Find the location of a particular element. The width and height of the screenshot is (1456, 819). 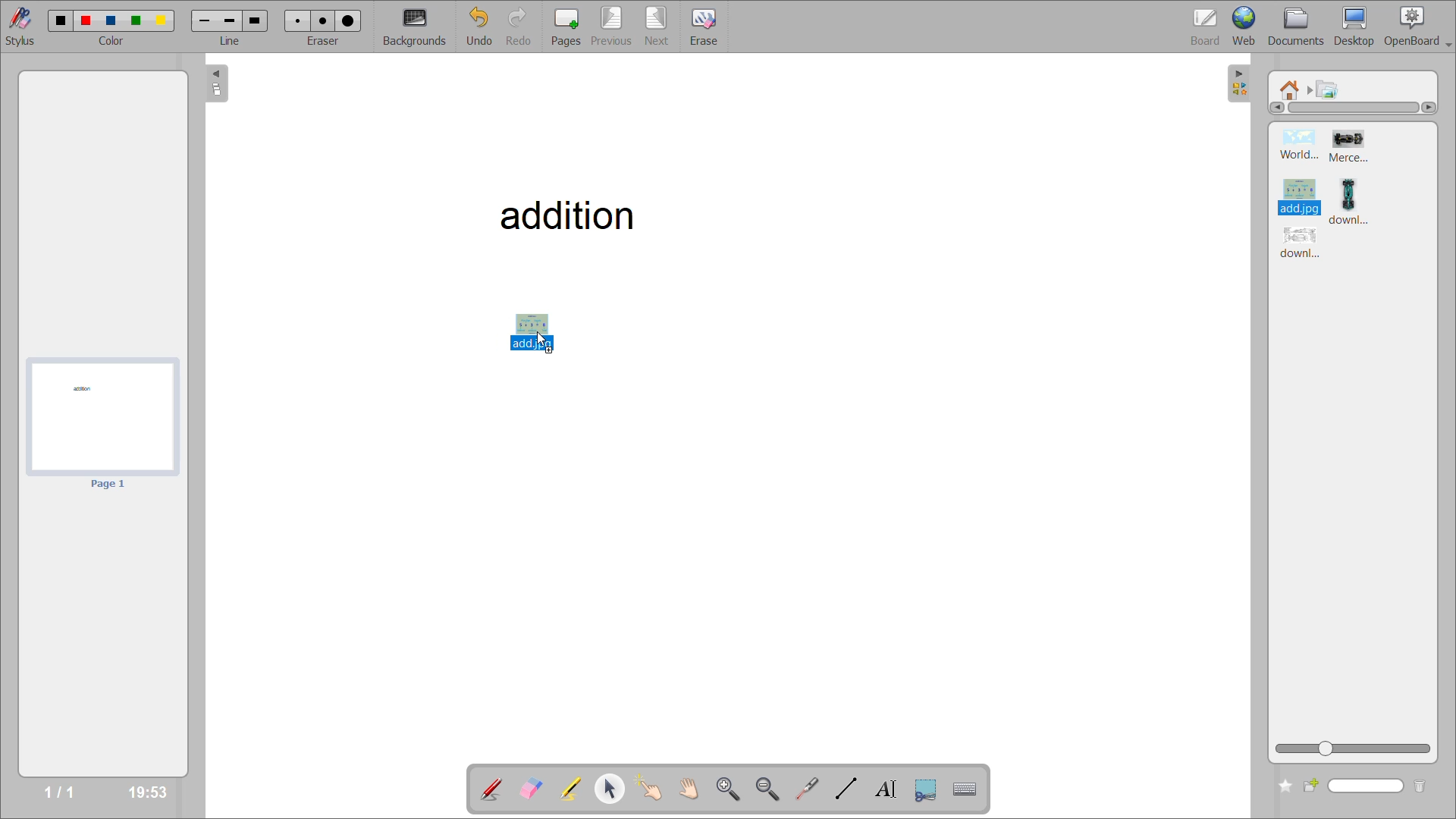

eraser 1 is located at coordinates (299, 20).